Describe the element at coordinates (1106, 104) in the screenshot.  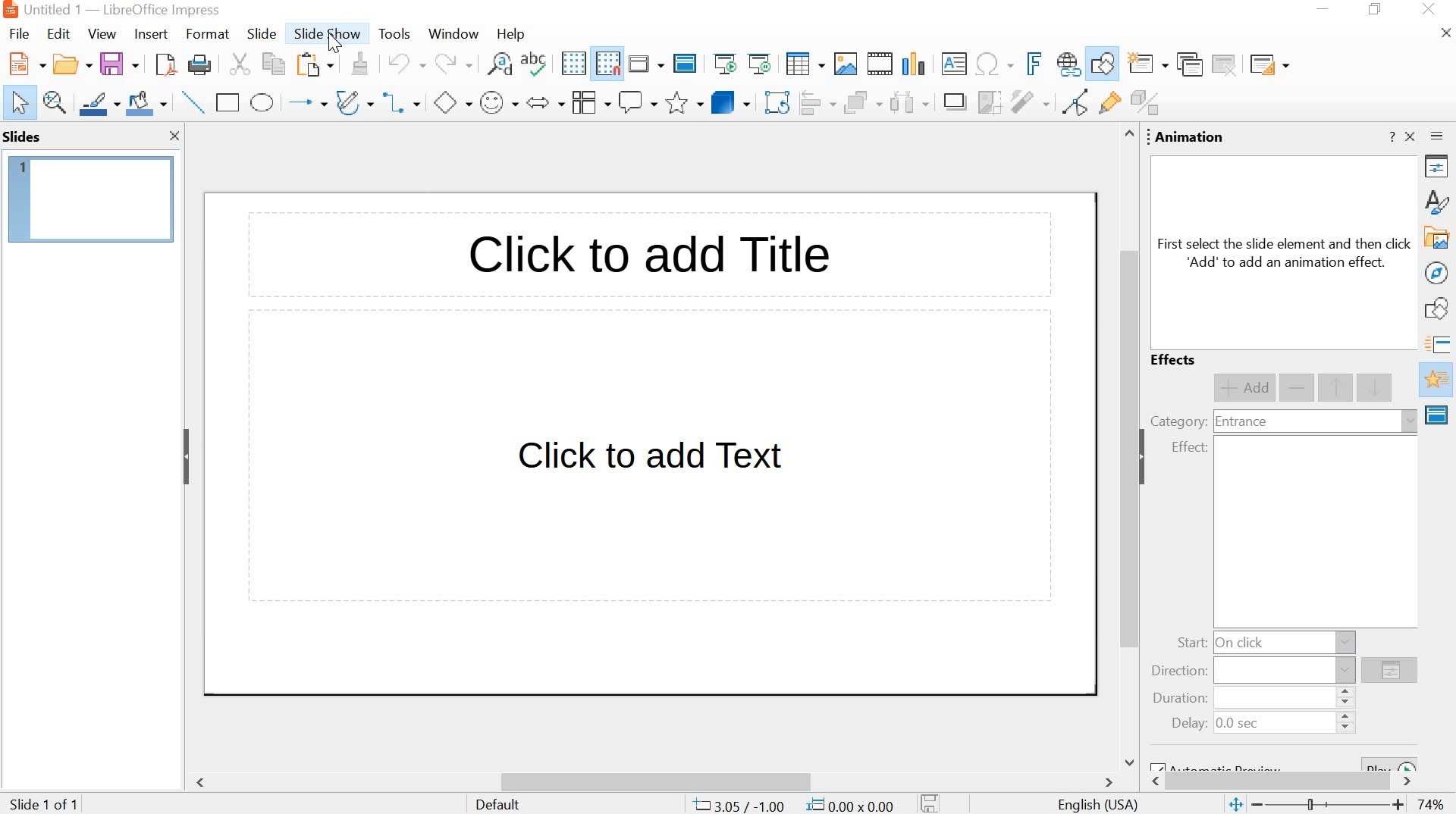
I see `show gluepoint functions` at that location.